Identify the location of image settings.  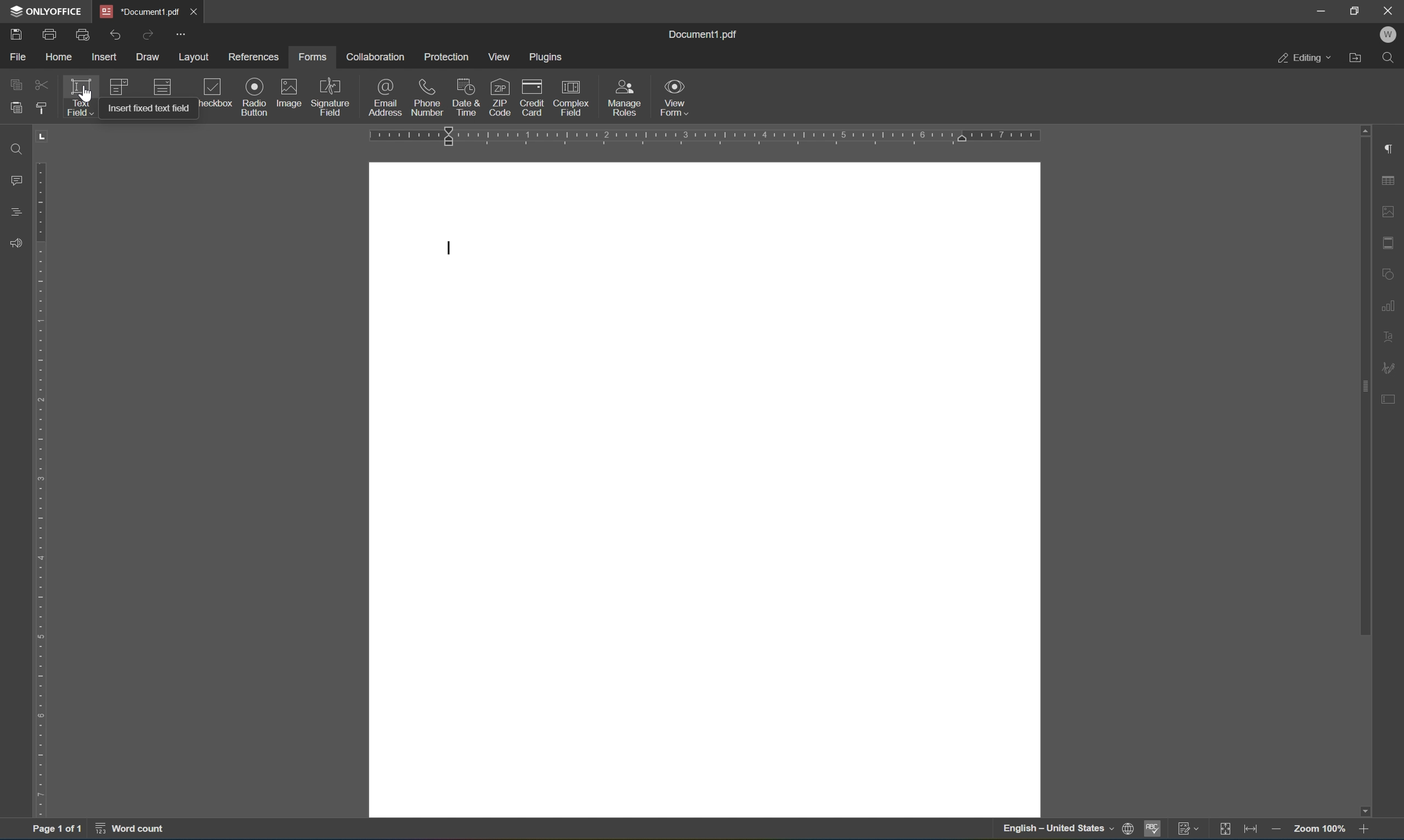
(1389, 212).